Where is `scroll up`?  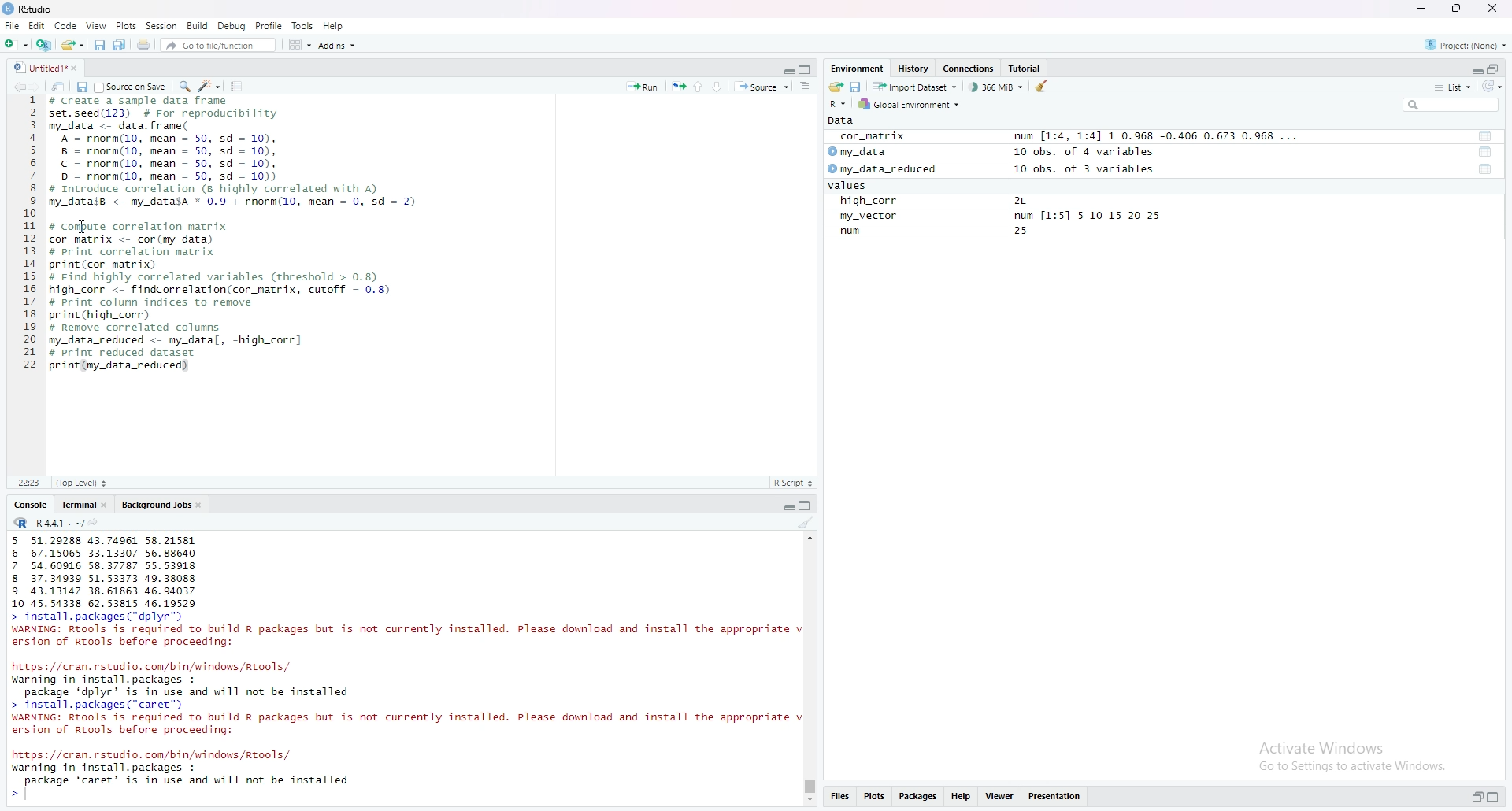 scroll up is located at coordinates (810, 537).